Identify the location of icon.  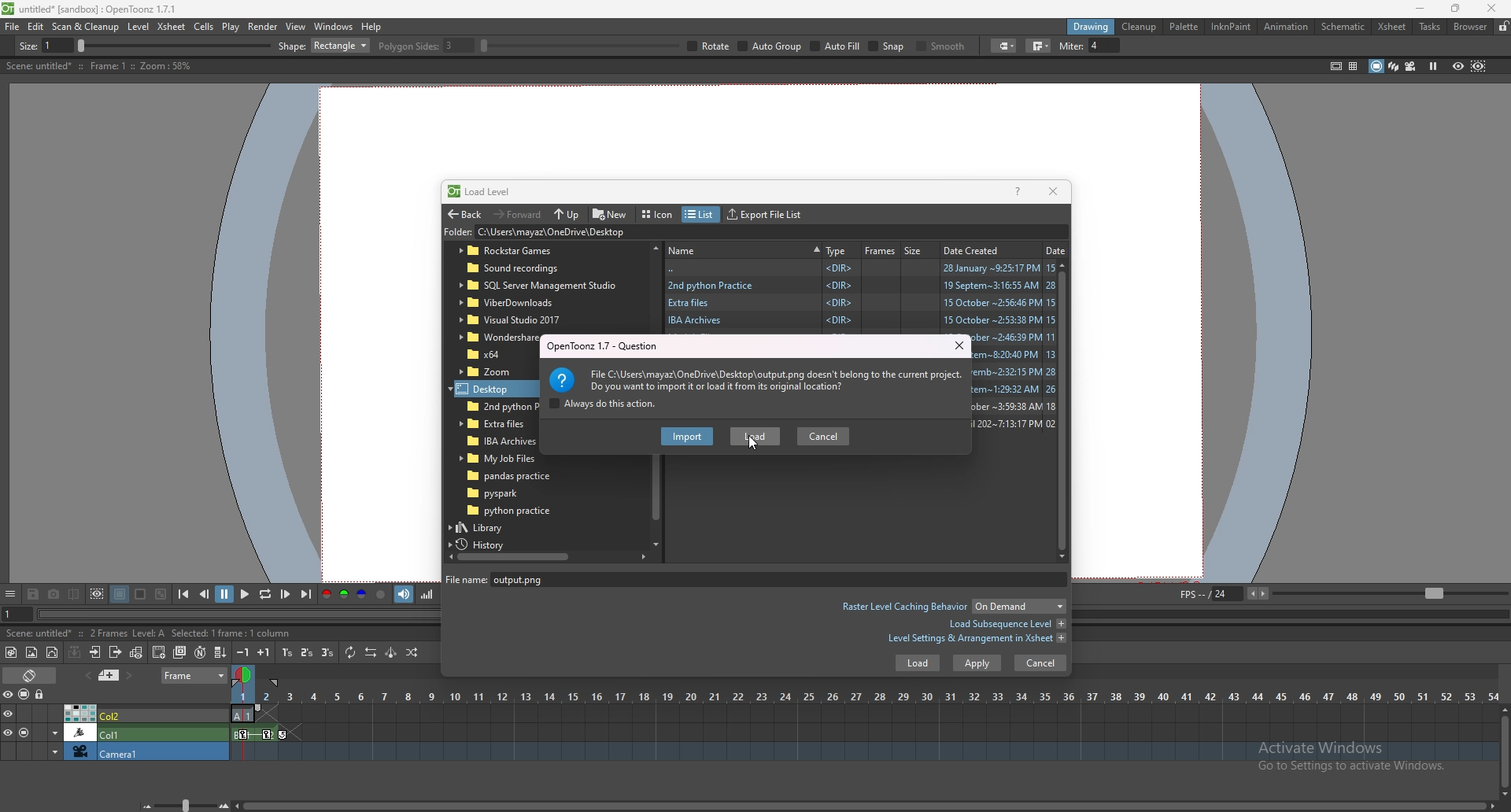
(659, 215).